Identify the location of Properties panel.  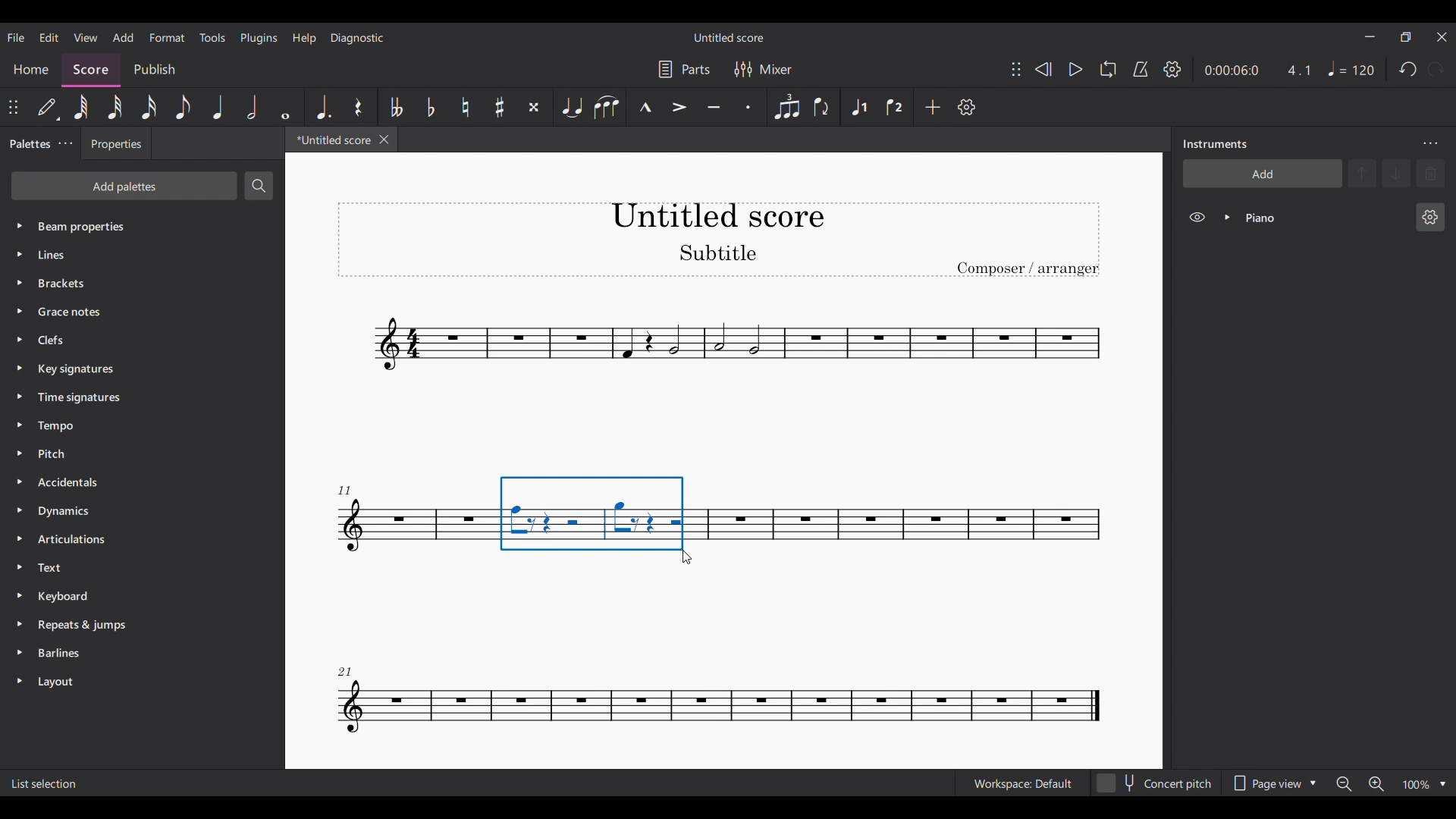
(116, 147).